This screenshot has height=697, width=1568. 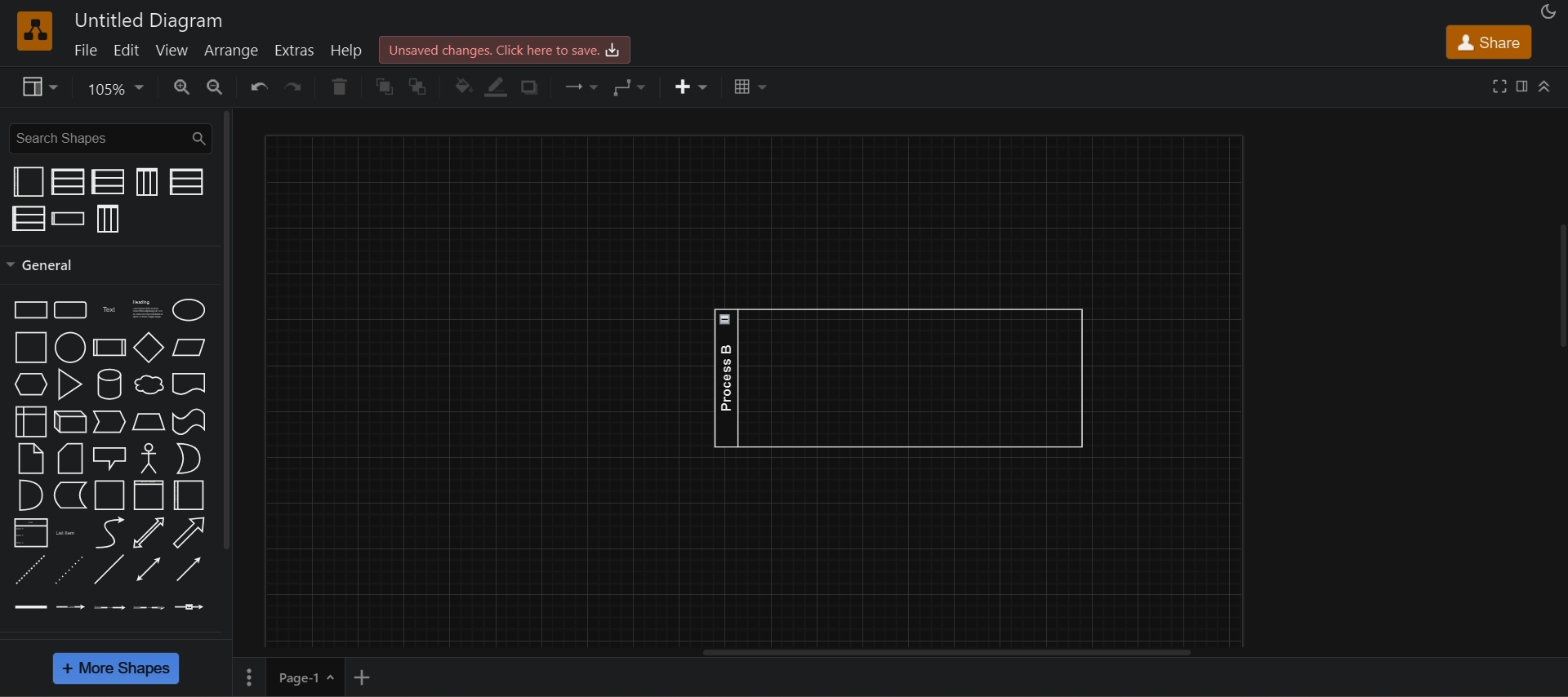 I want to click on logo, so click(x=35, y=30).